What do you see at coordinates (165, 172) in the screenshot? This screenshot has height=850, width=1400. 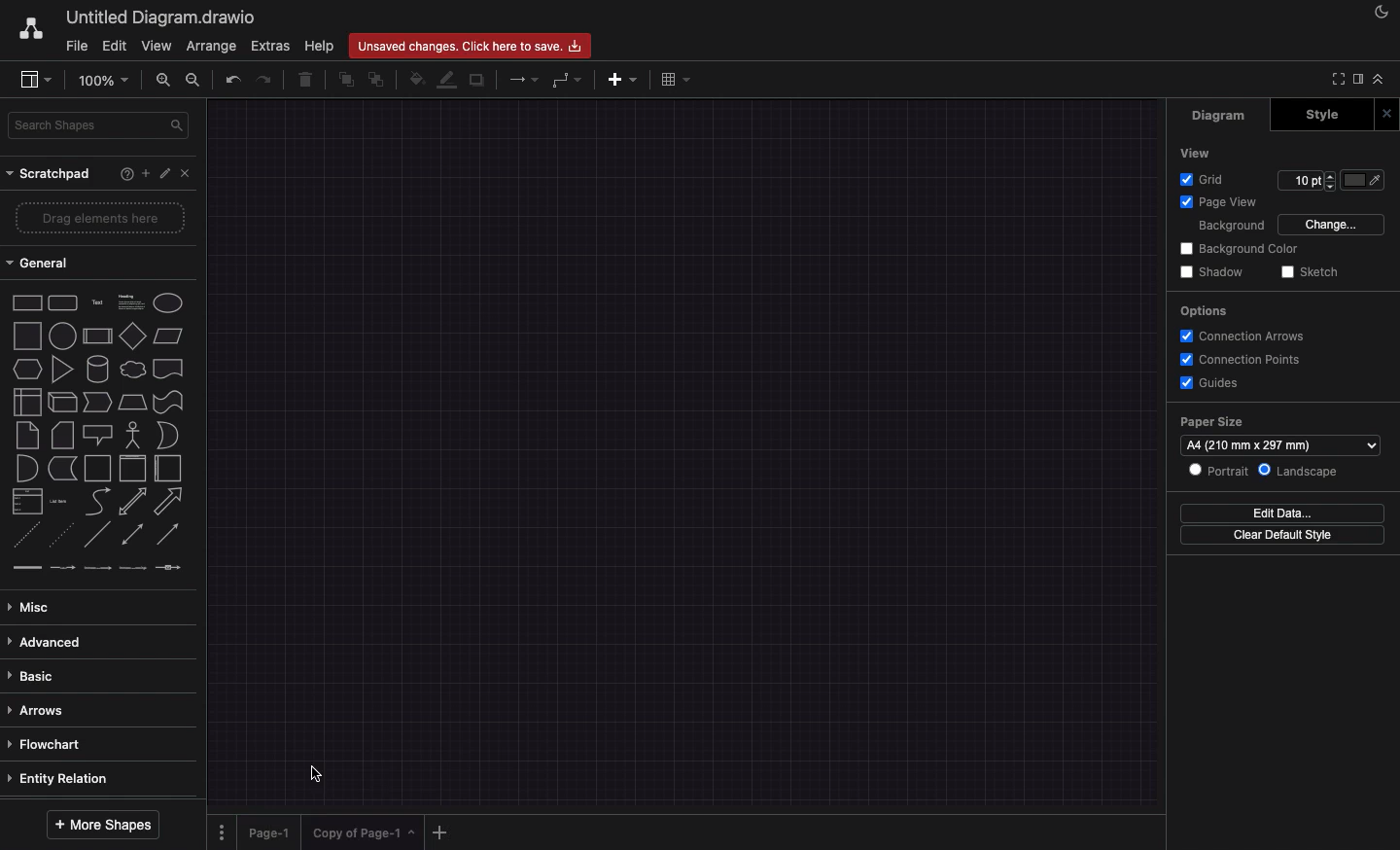 I see `edit` at bounding box center [165, 172].